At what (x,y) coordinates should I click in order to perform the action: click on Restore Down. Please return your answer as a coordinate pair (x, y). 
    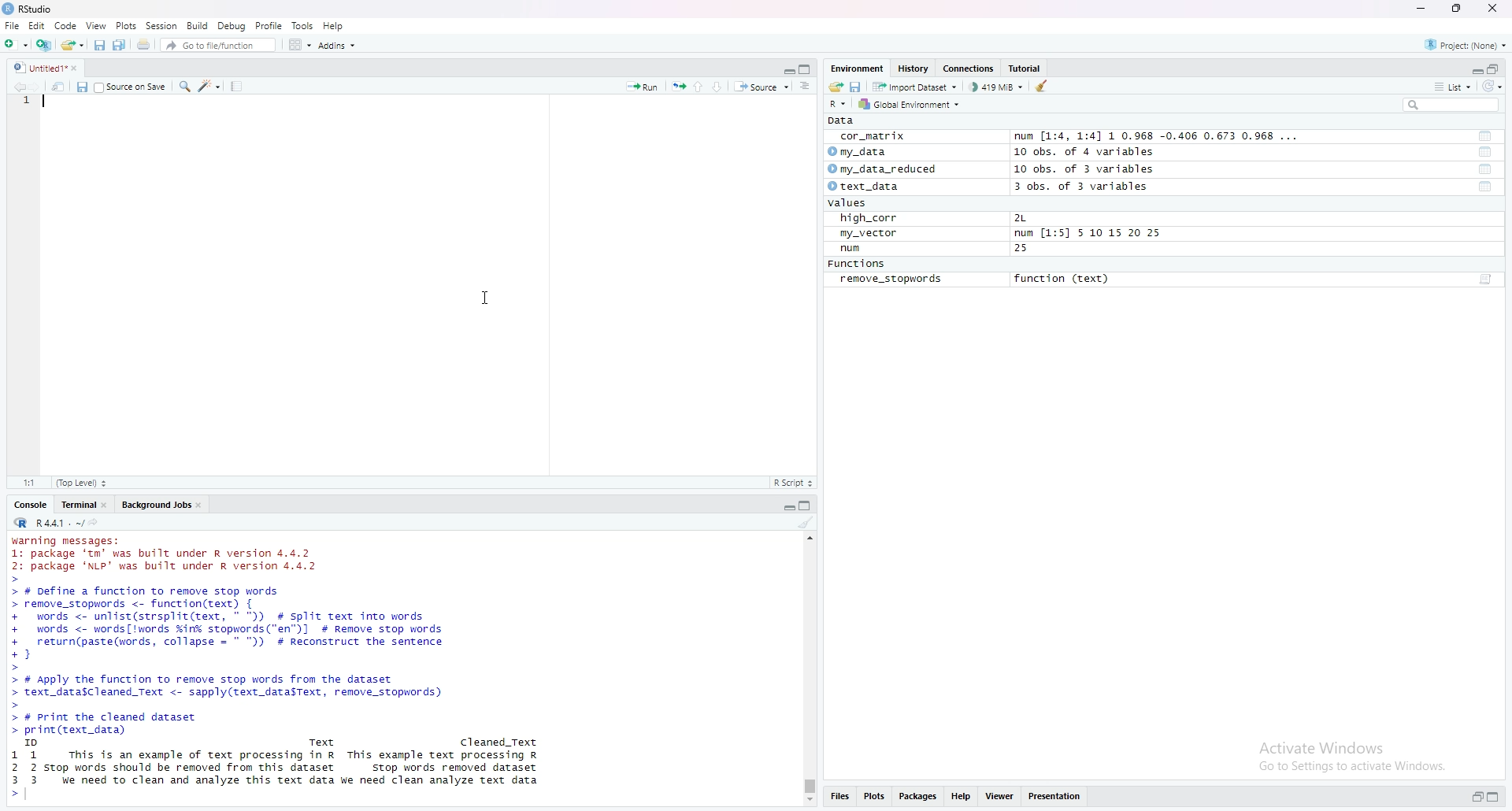
    Looking at the image, I should click on (1493, 69).